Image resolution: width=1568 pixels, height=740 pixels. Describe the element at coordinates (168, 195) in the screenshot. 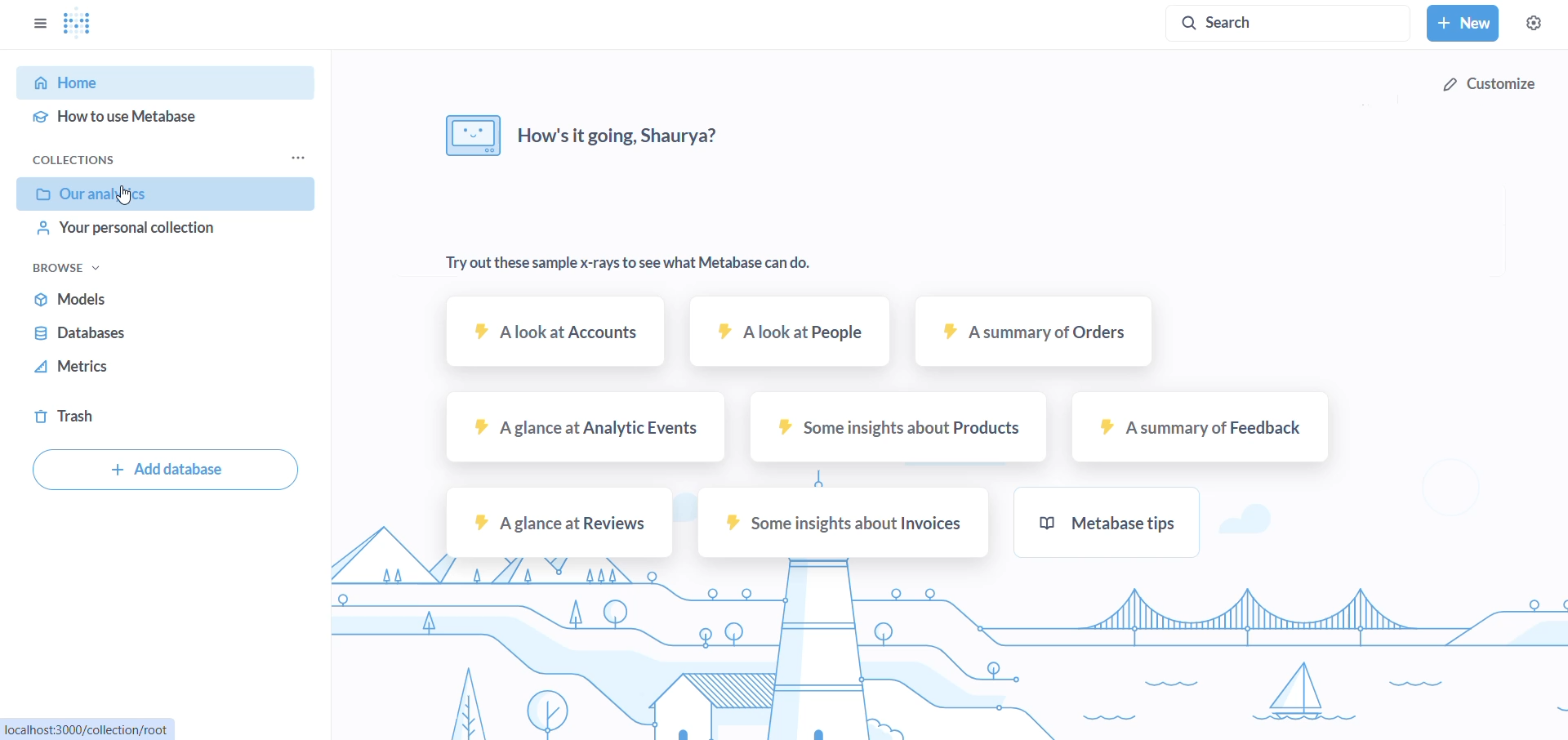

I see `our analytics` at that location.